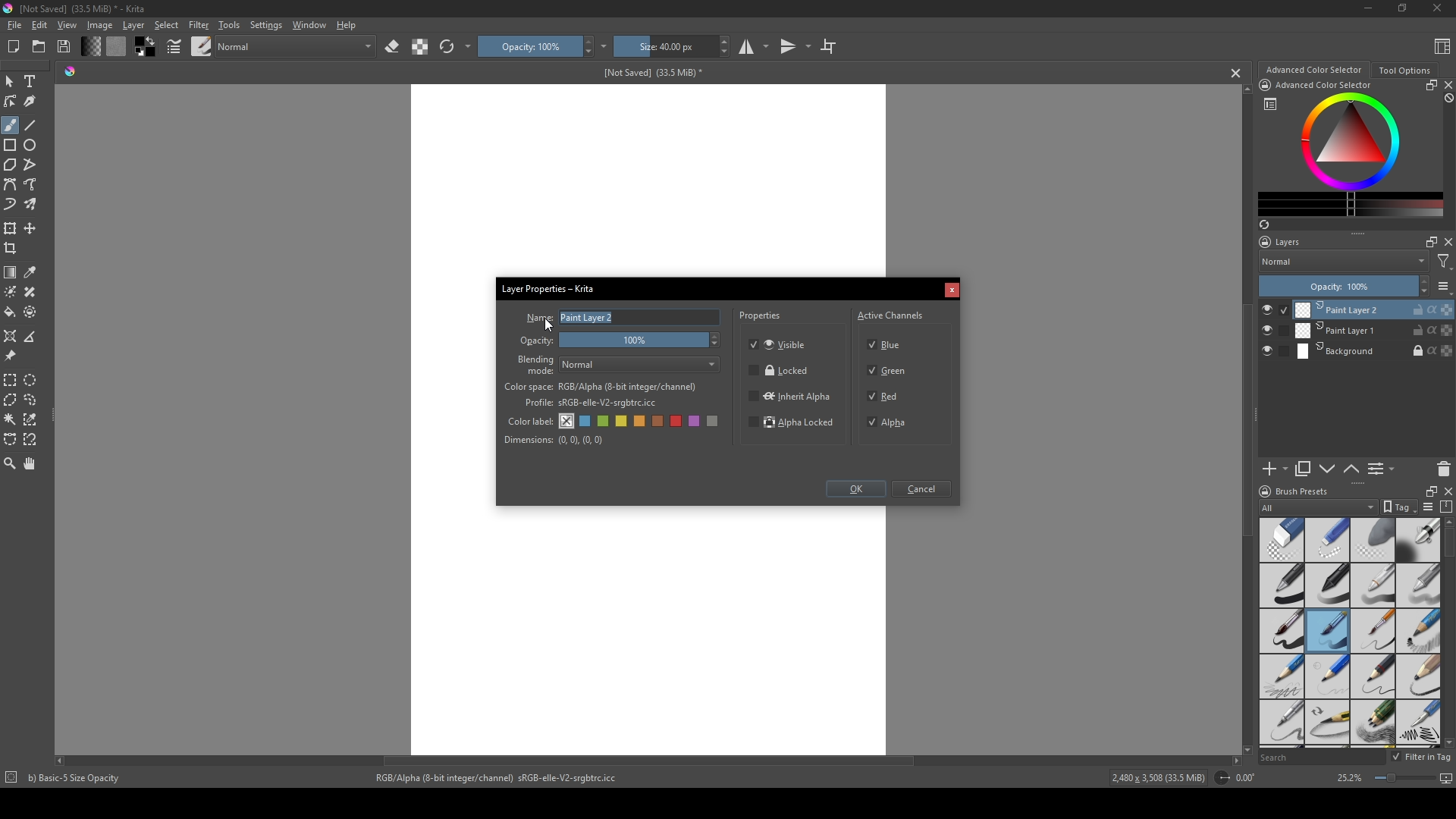 This screenshot has width=1456, height=819. I want to click on blending tool, so click(1418, 539).